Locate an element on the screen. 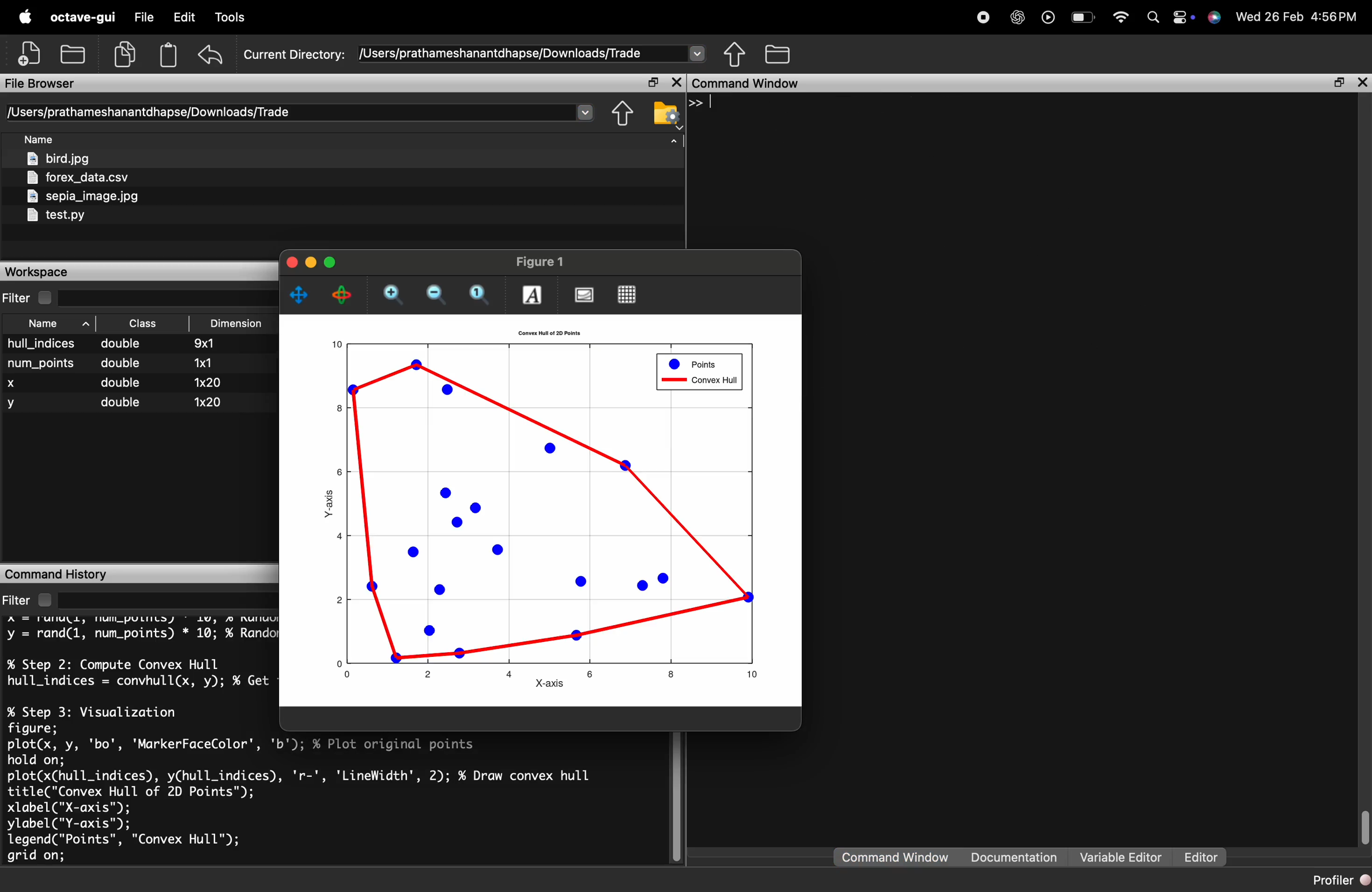 The height and width of the screenshot is (892, 1372). action center is located at coordinates (1185, 18).